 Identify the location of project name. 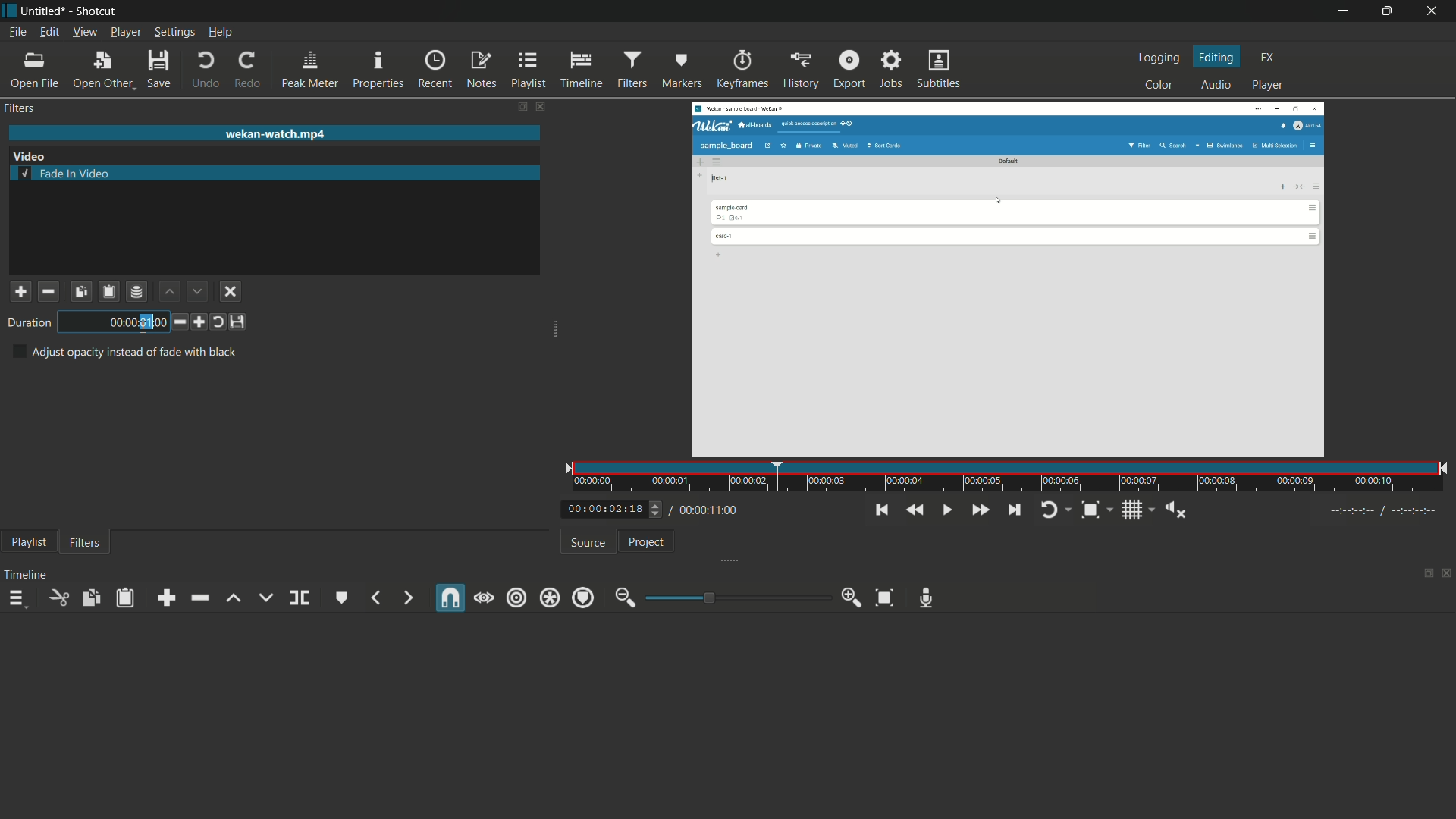
(40, 11).